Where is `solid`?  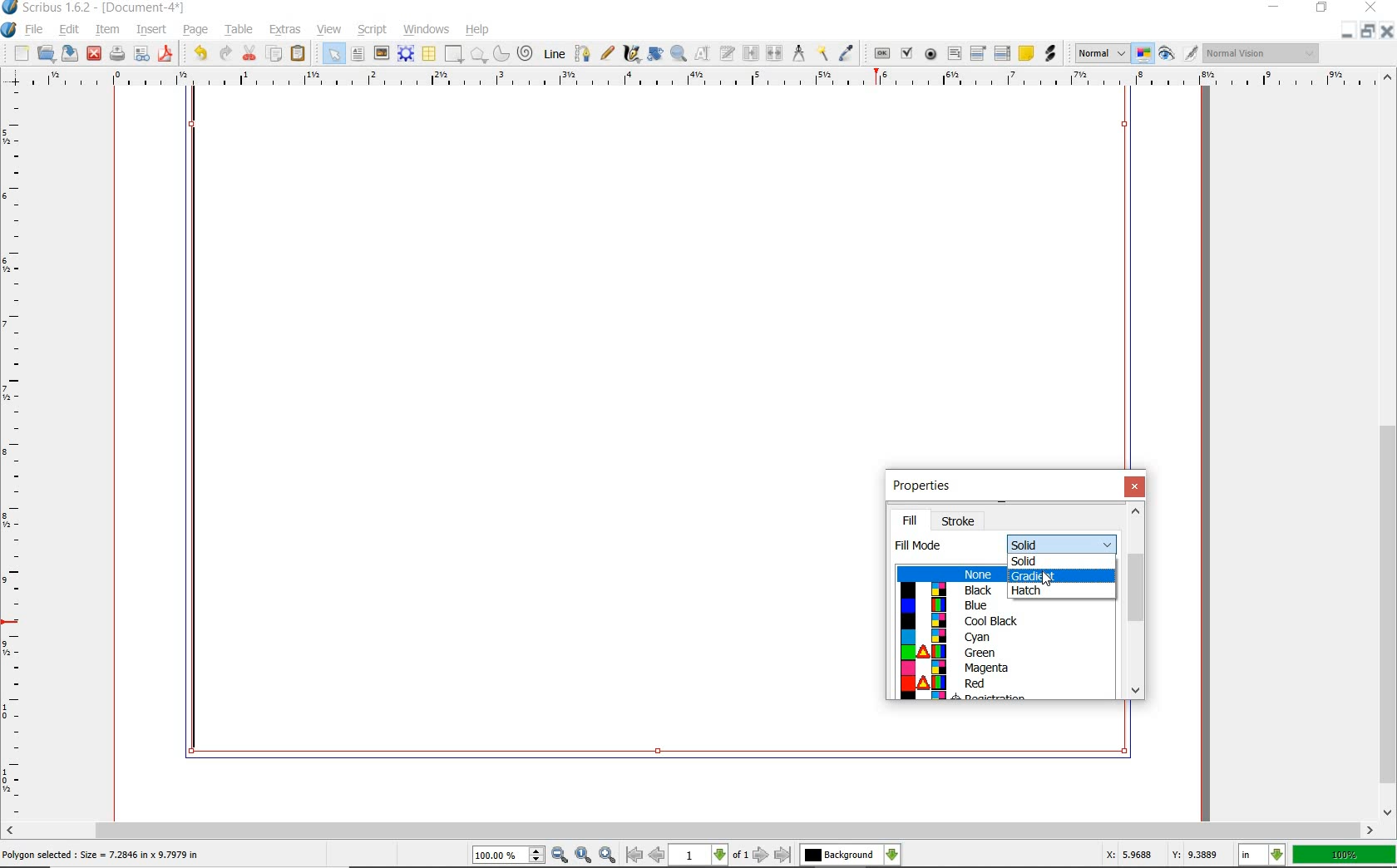
solid is located at coordinates (1063, 544).